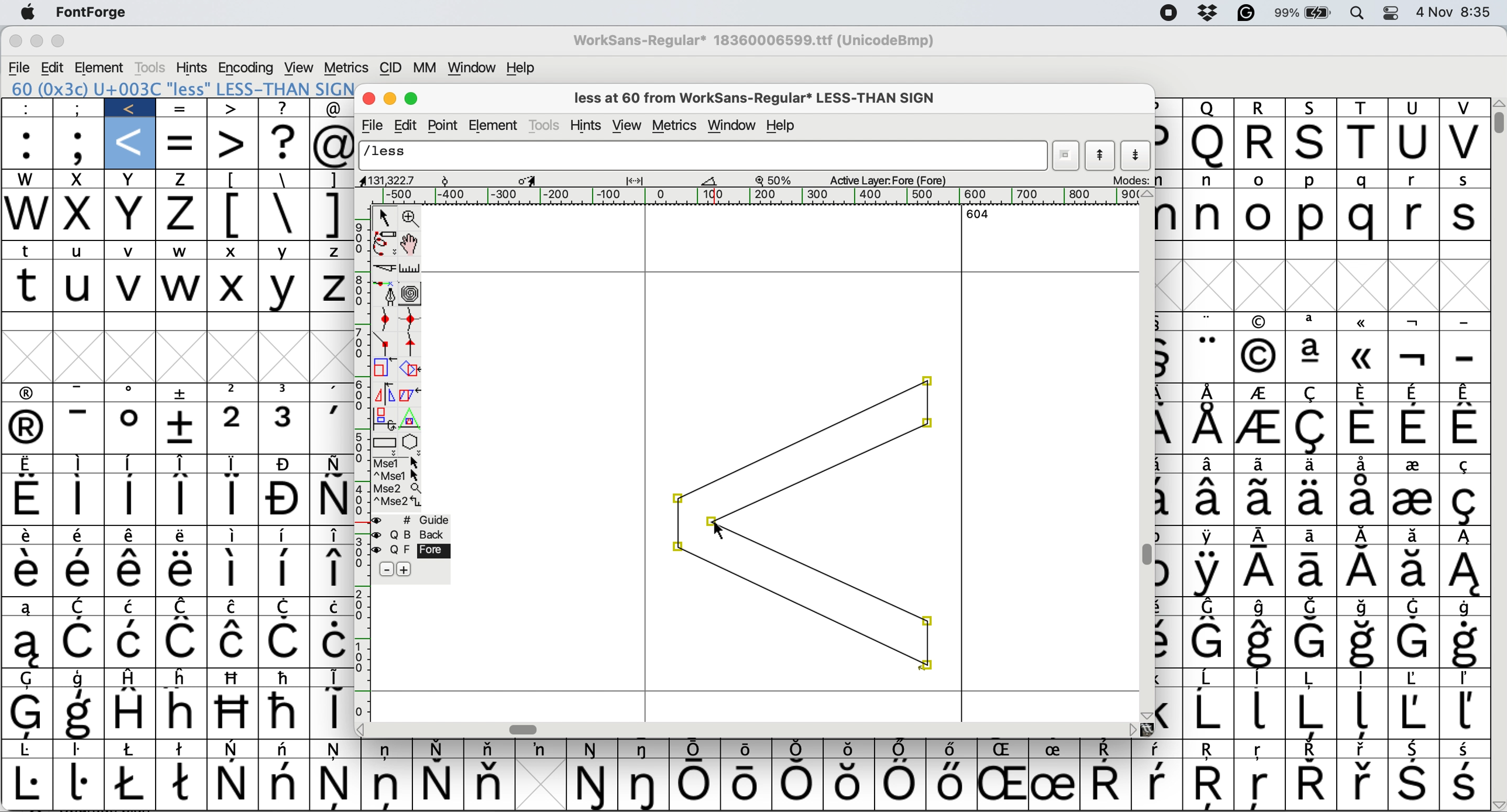 The image size is (1507, 812). I want to click on Symbol, so click(851, 784).